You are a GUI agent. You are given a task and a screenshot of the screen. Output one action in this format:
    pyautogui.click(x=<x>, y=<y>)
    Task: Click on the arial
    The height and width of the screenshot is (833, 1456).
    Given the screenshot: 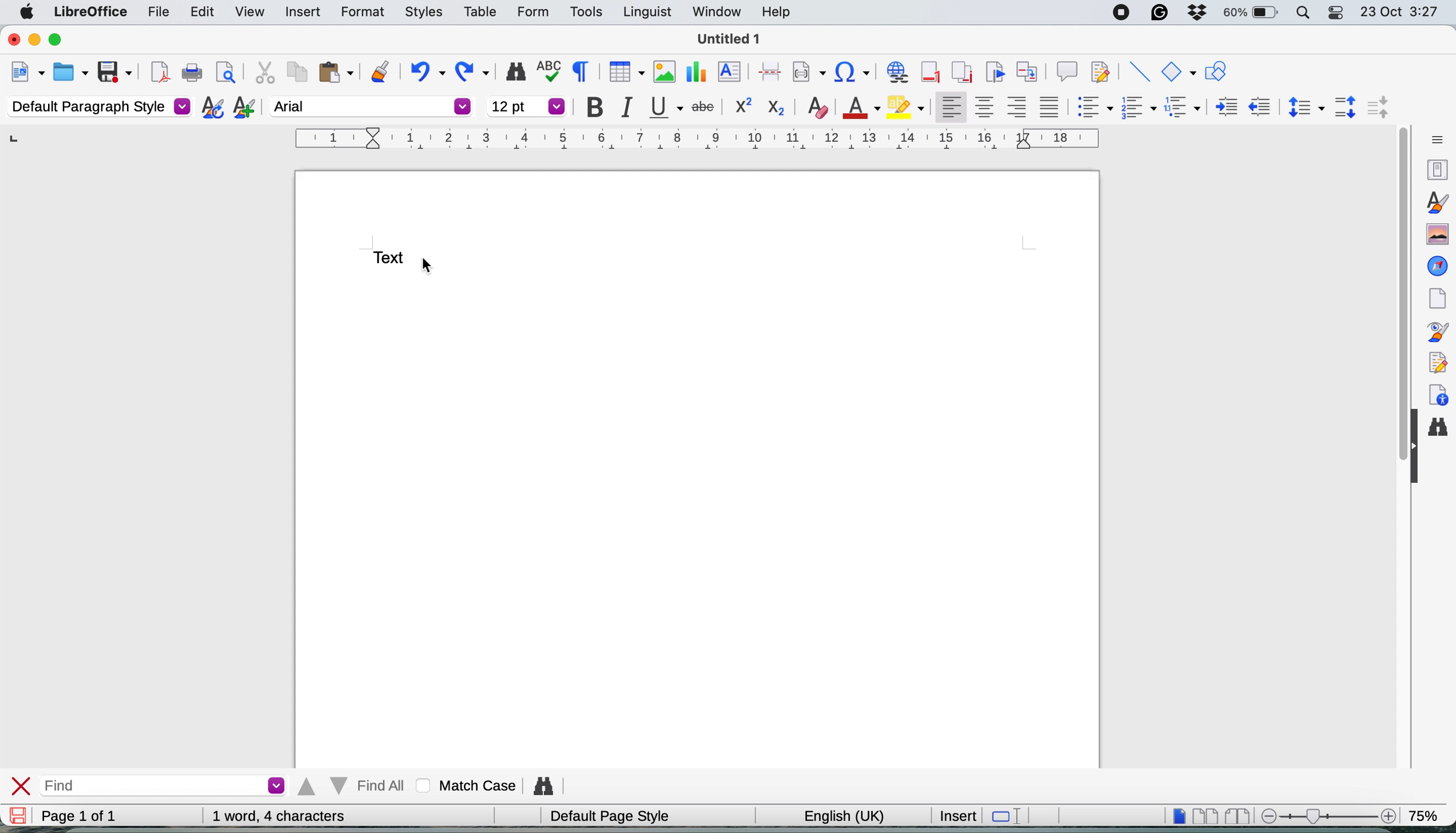 What is the action you would take?
    pyautogui.click(x=372, y=106)
    